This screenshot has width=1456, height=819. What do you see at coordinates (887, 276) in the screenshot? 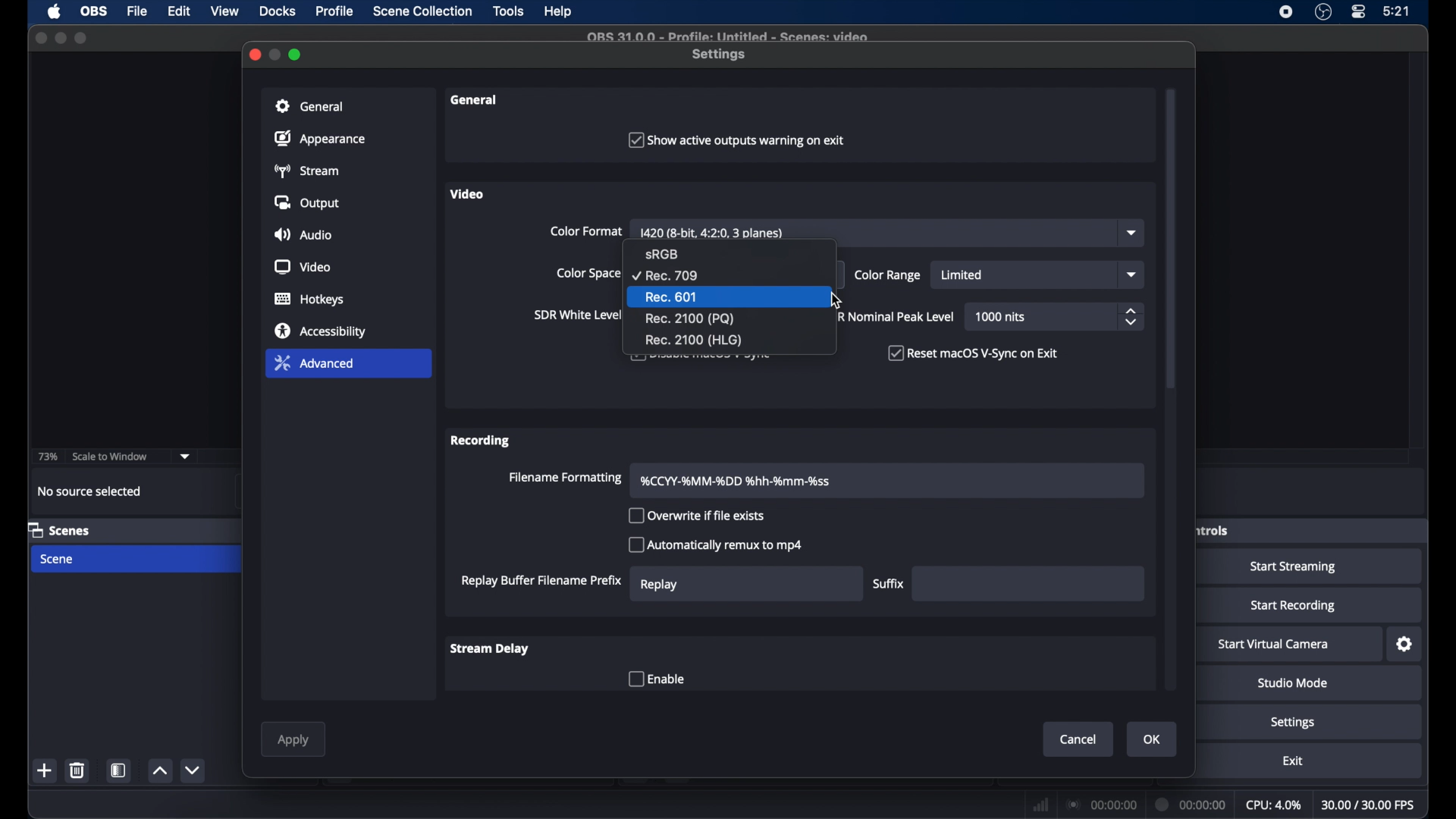
I see `color range` at bounding box center [887, 276].